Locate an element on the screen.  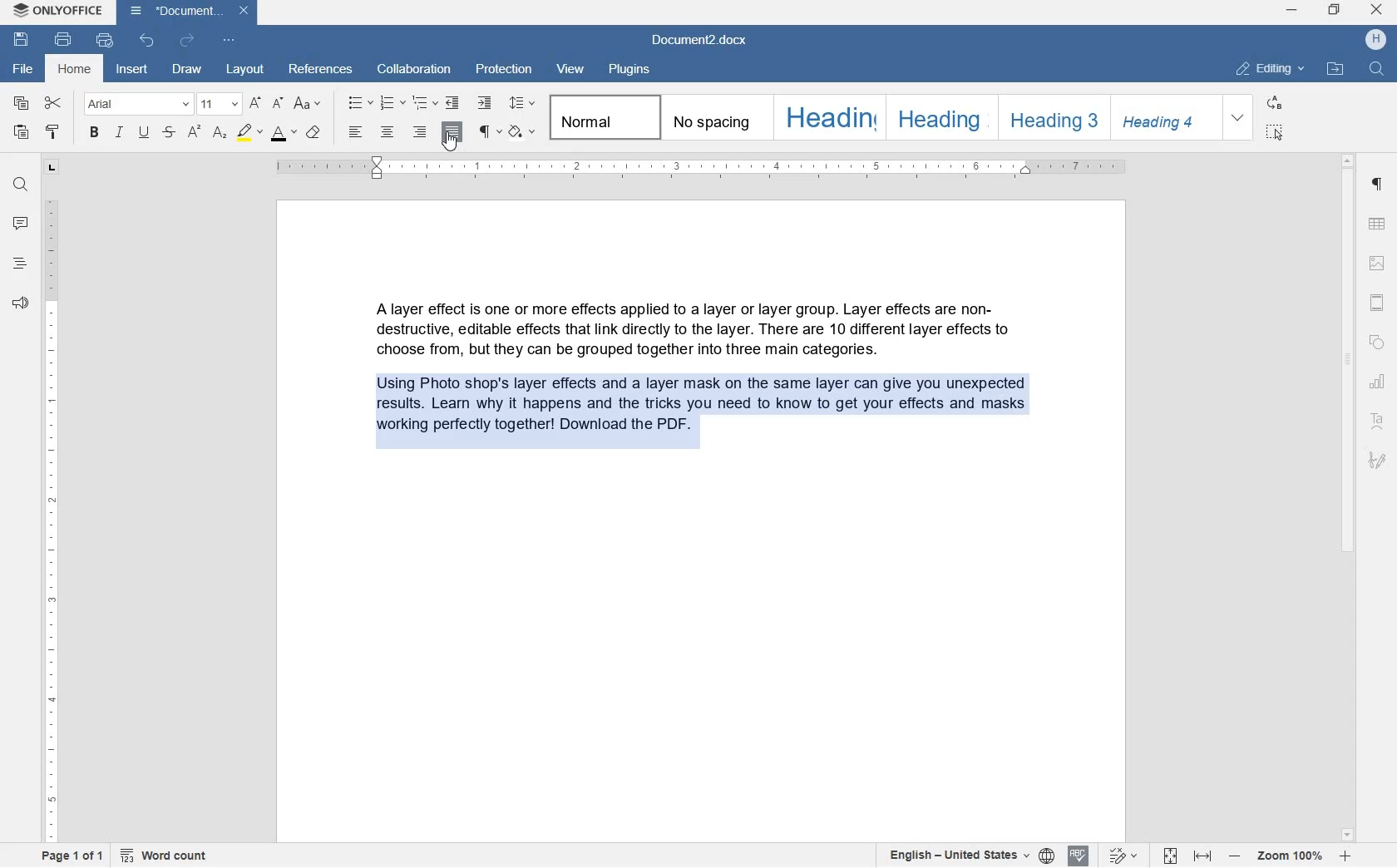
NUMBERING is located at coordinates (393, 102).